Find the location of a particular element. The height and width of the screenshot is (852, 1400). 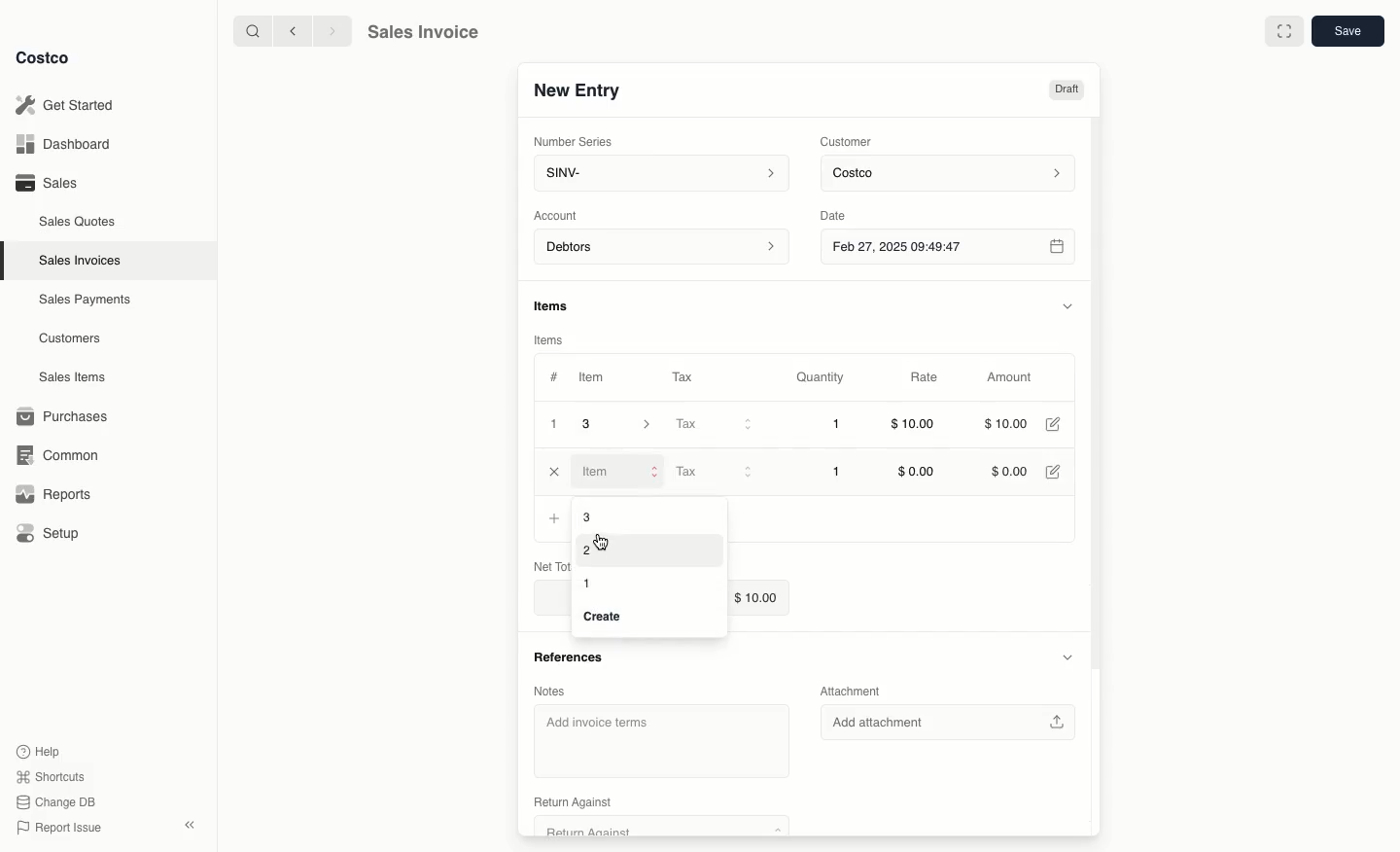

Notes is located at coordinates (557, 691).